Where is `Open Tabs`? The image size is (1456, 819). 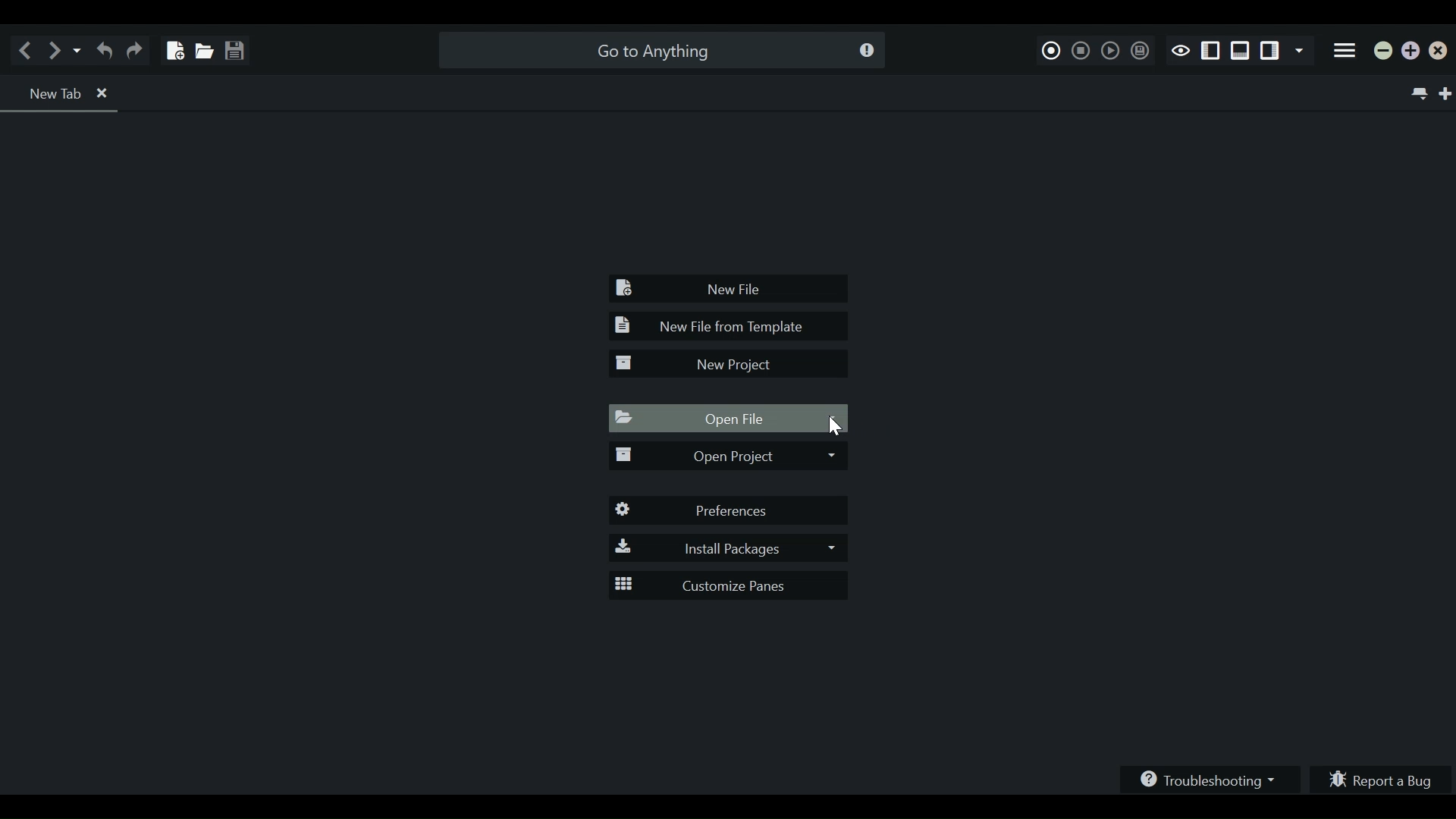 Open Tabs is located at coordinates (63, 94).